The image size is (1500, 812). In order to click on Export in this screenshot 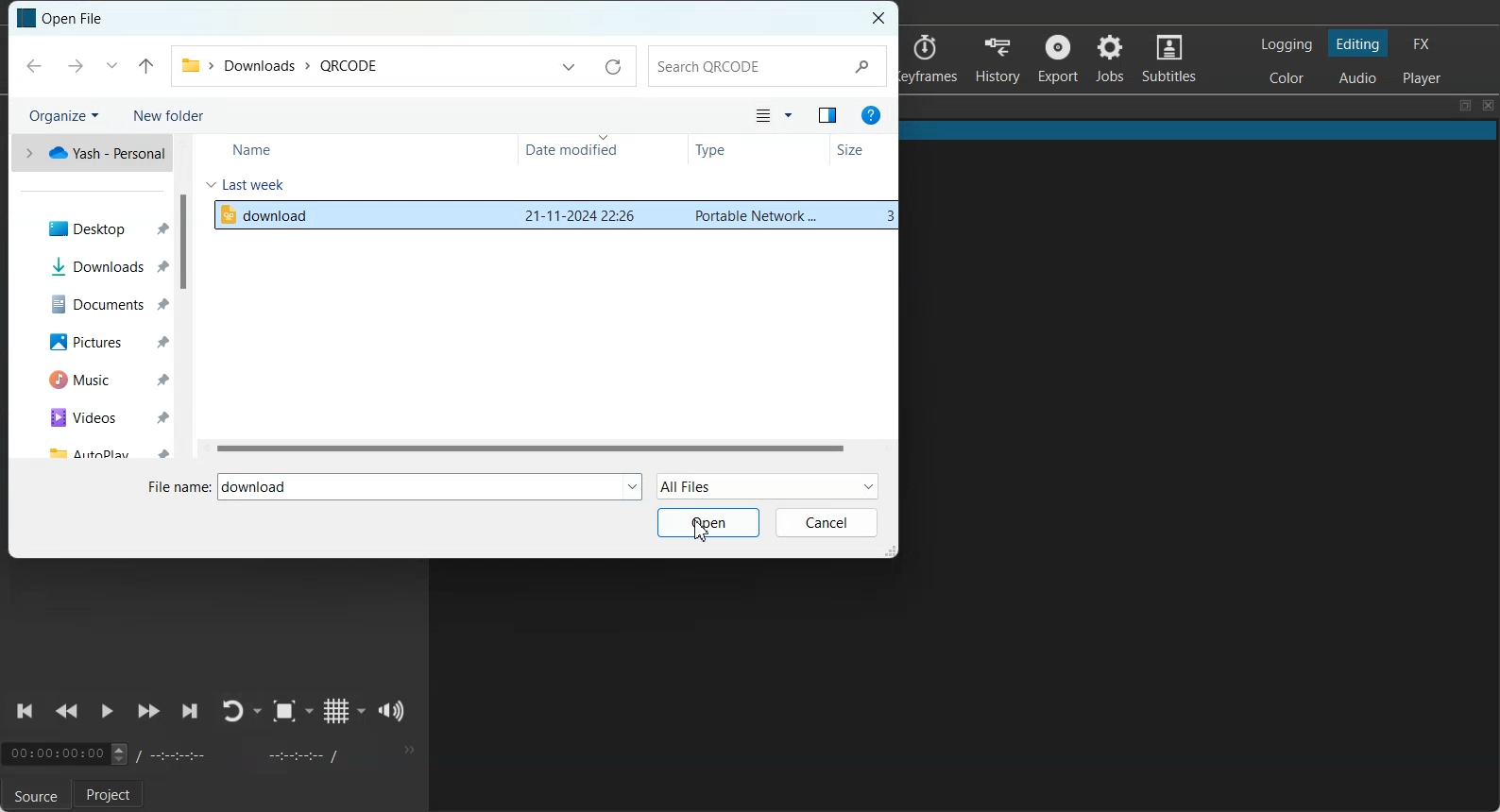, I will do `click(1057, 58)`.